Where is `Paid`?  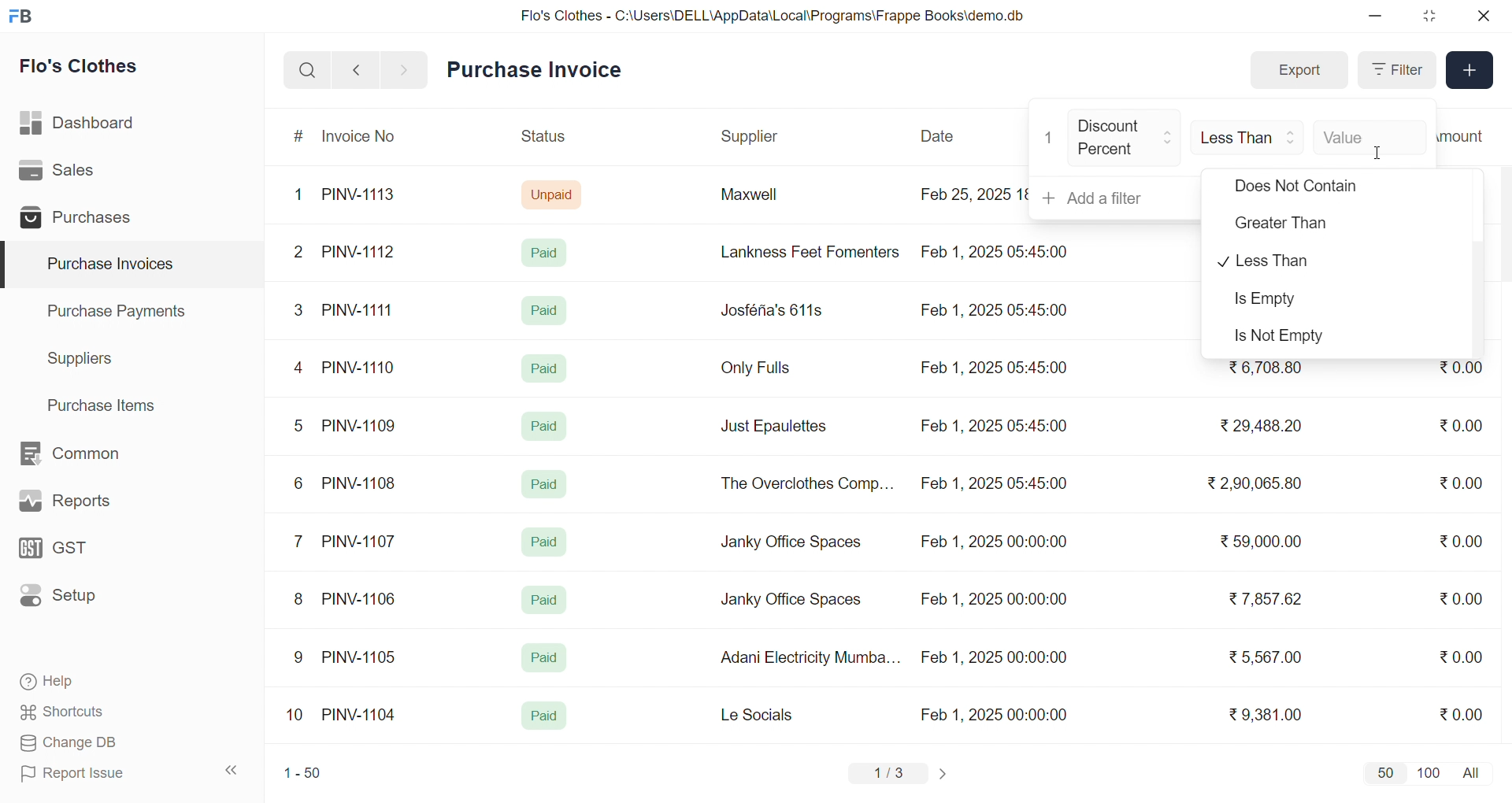 Paid is located at coordinates (543, 367).